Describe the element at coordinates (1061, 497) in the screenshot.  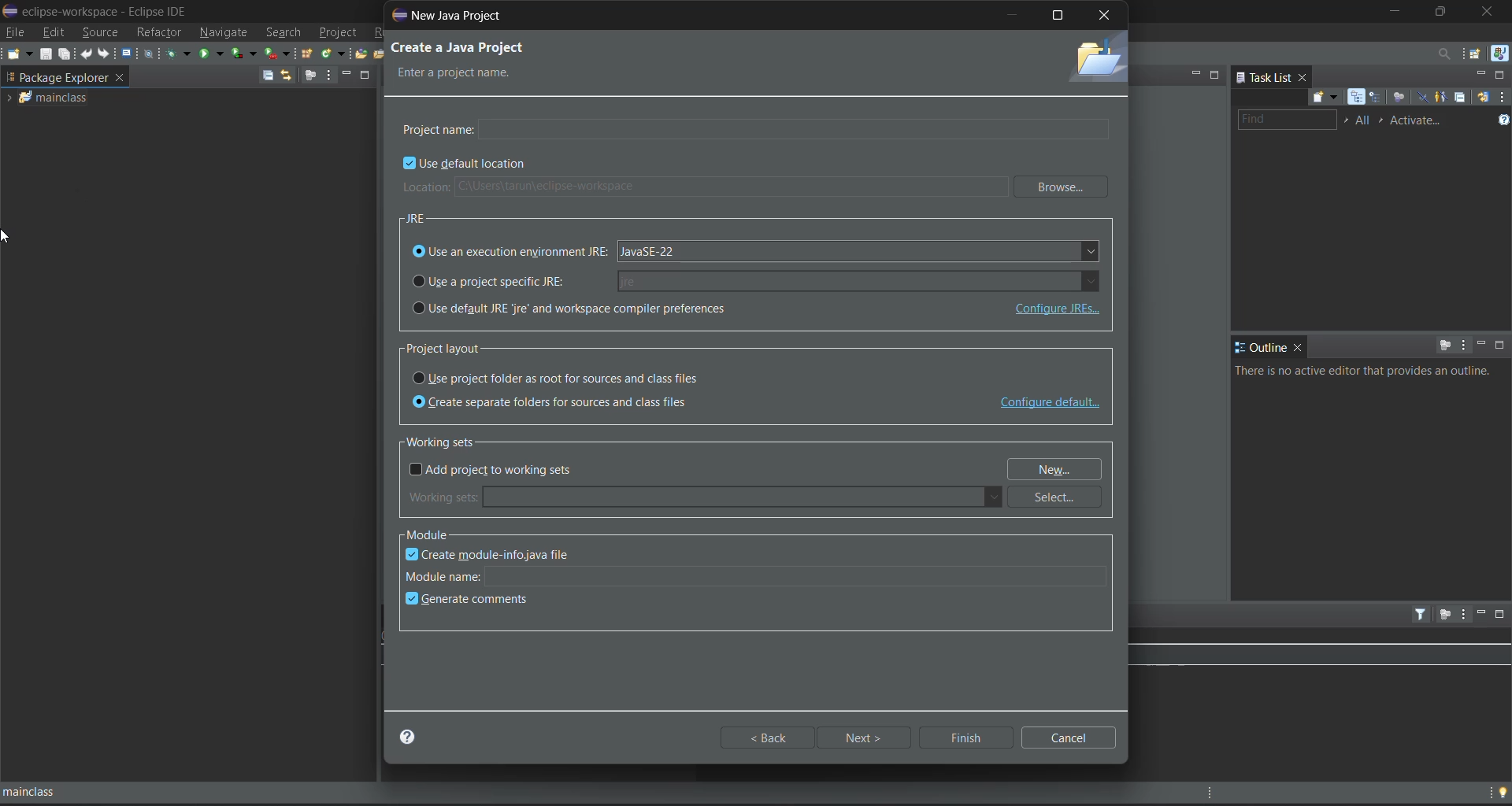
I see `select` at that location.